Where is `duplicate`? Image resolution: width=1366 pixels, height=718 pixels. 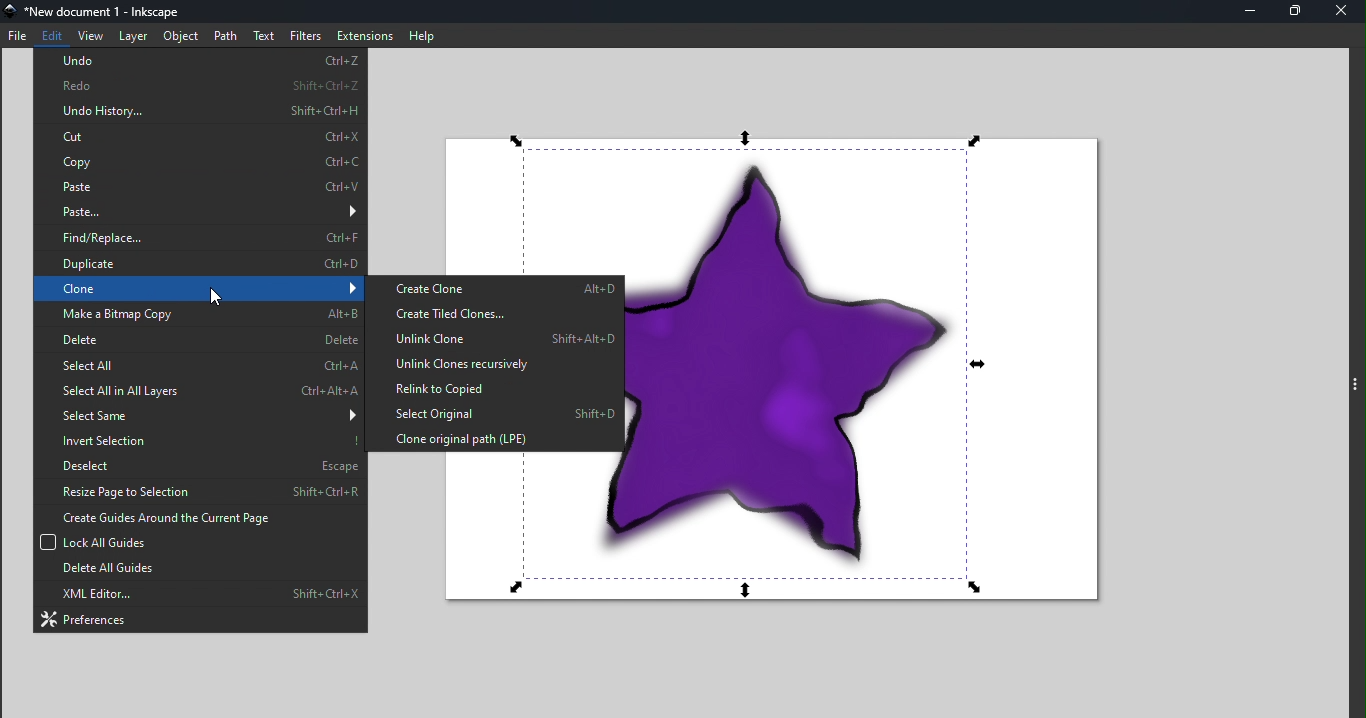
duplicate is located at coordinates (200, 265).